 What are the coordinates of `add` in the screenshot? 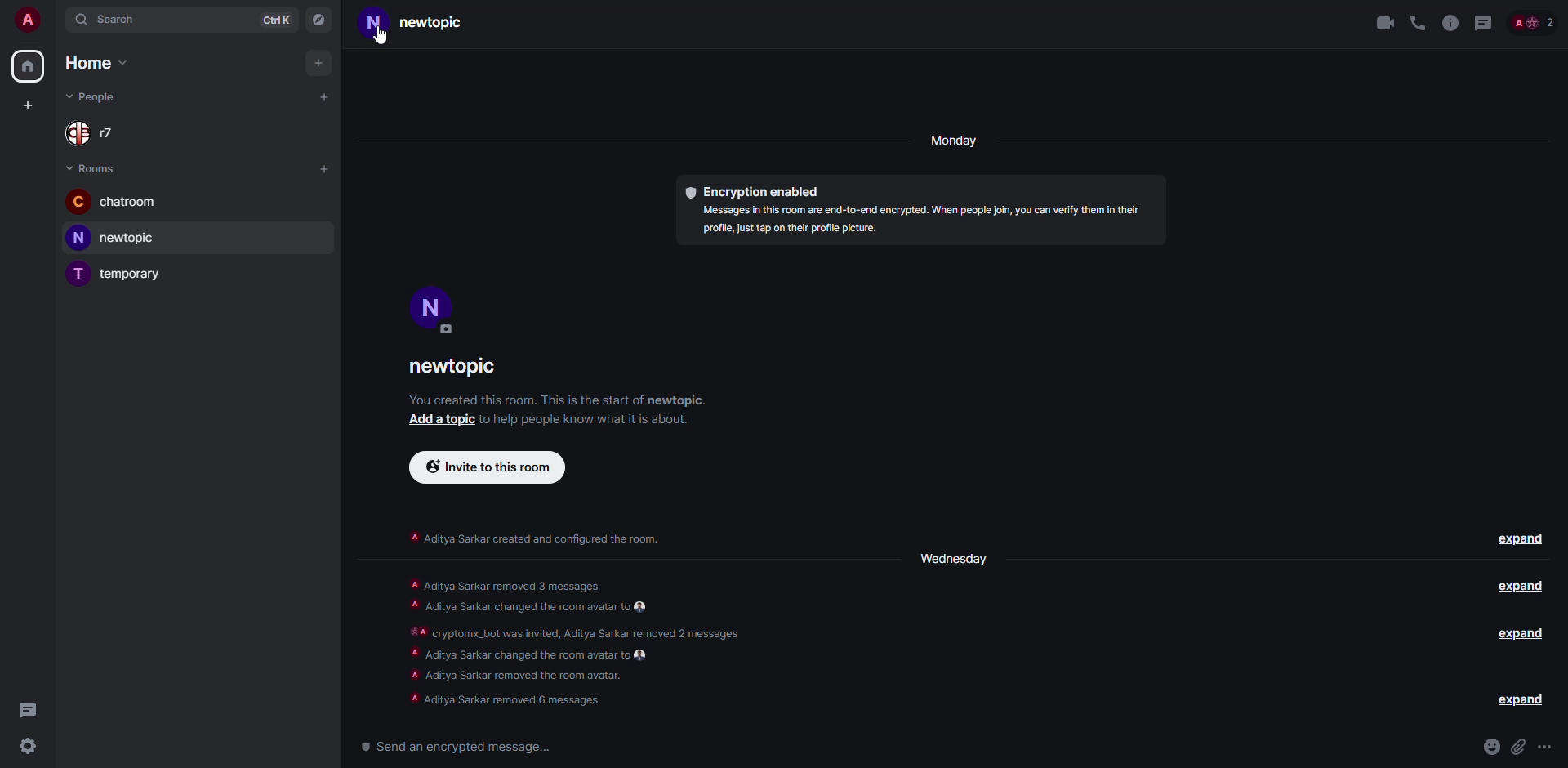 It's located at (324, 95).